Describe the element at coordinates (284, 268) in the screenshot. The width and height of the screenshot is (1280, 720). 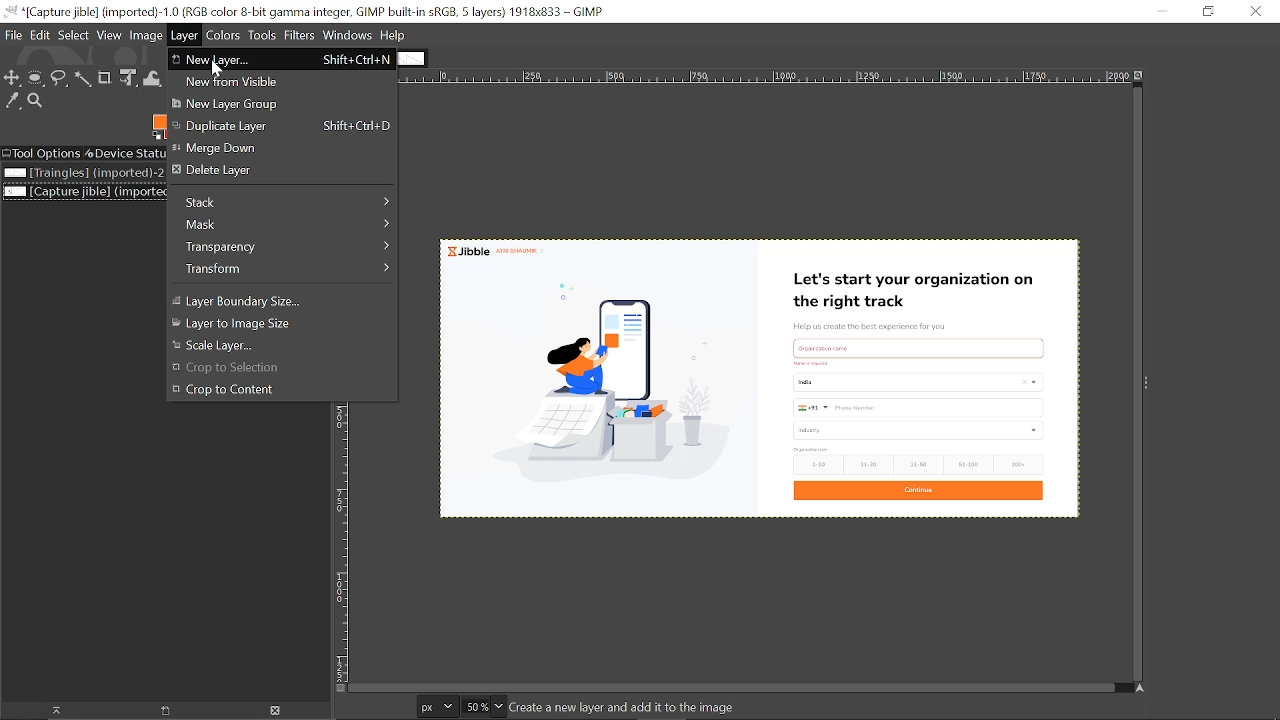
I see `Transform` at that location.